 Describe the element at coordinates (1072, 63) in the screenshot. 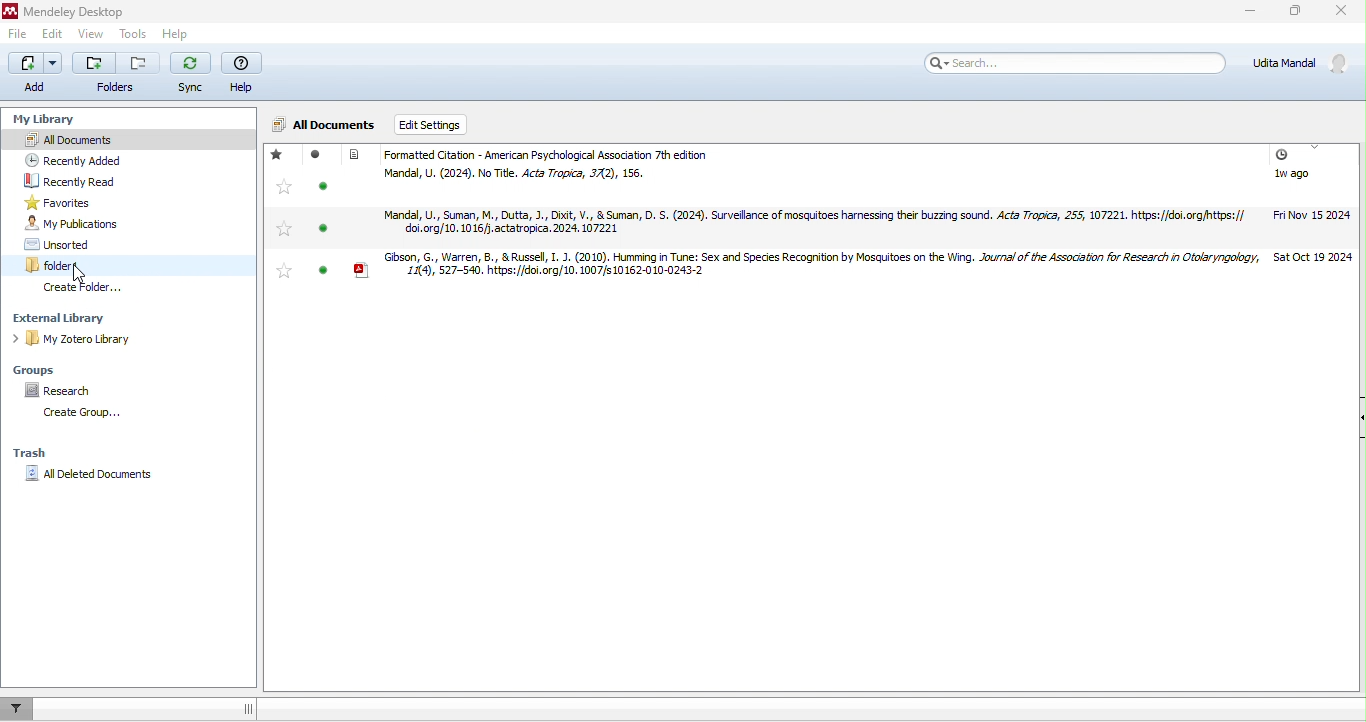

I see `search` at that location.